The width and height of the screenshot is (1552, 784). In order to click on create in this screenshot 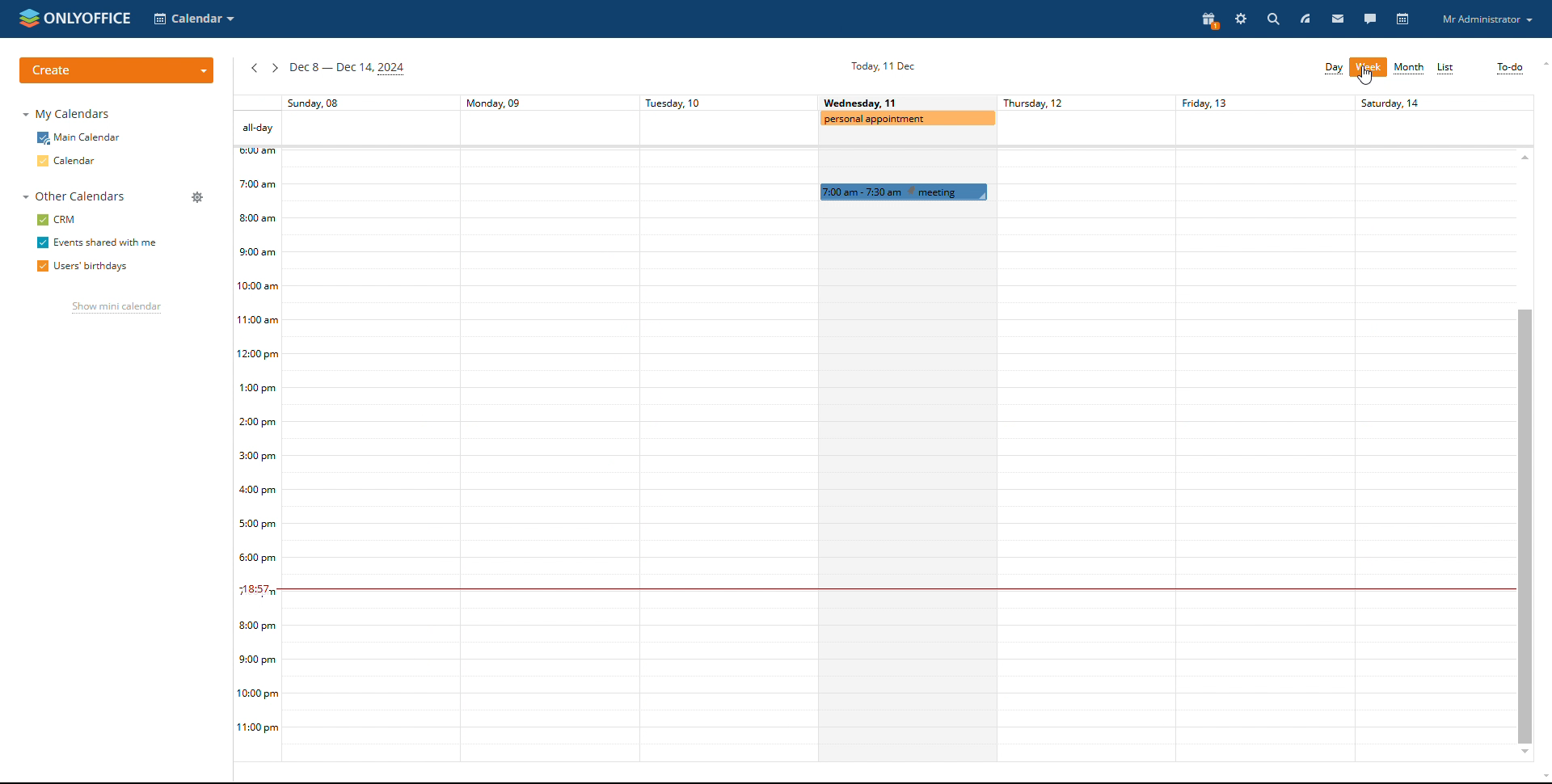, I will do `click(118, 71)`.